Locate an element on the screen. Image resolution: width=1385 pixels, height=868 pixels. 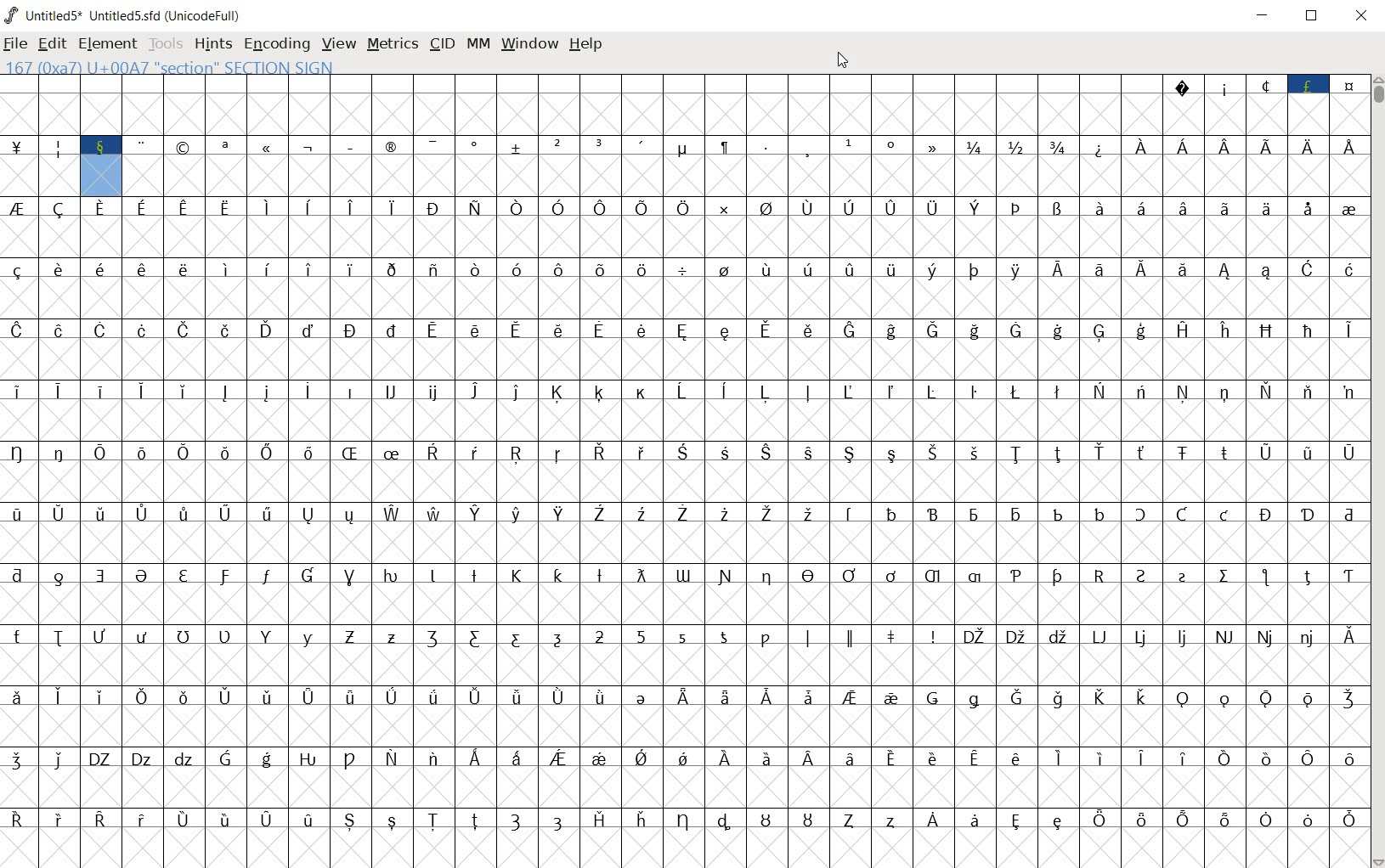
edit is located at coordinates (51, 42).